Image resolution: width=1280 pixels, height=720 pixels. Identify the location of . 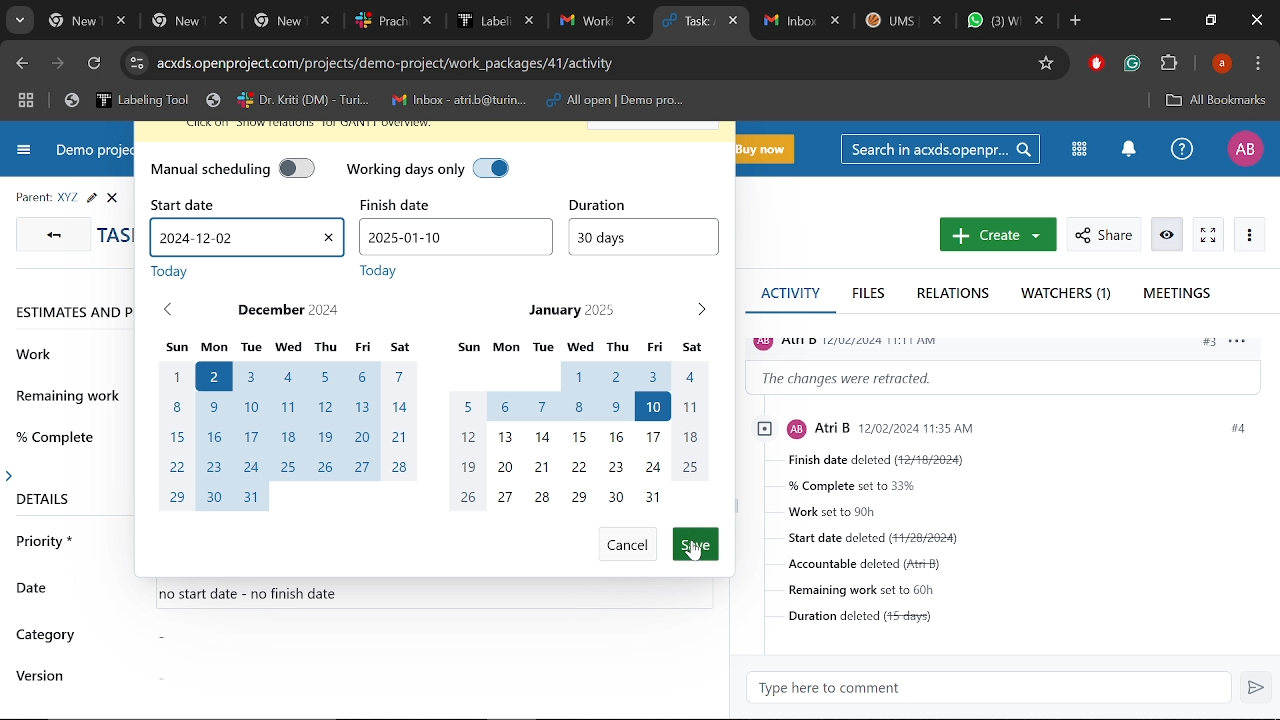
(27, 151).